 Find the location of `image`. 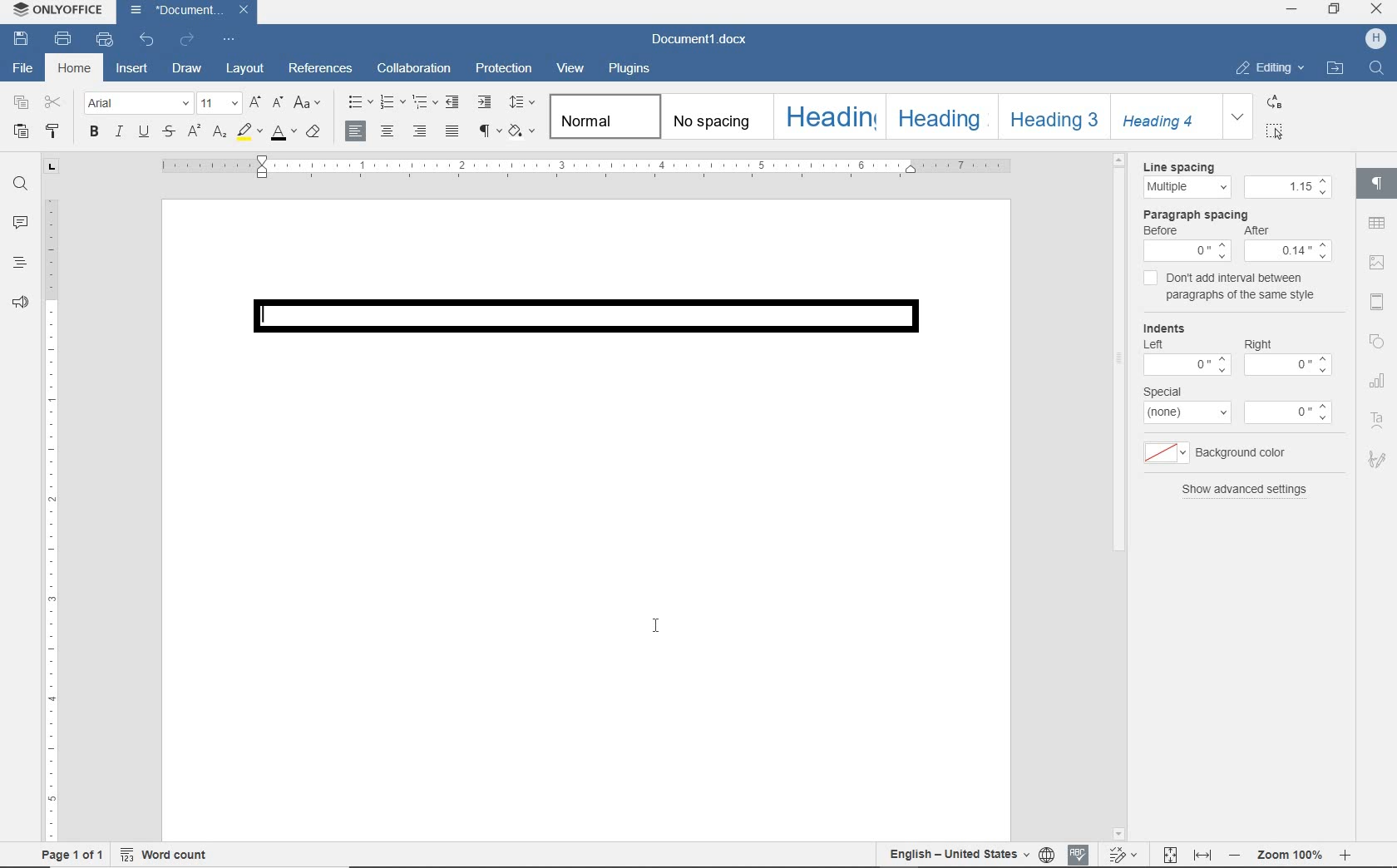

image is located at coordinates (1375, 263).